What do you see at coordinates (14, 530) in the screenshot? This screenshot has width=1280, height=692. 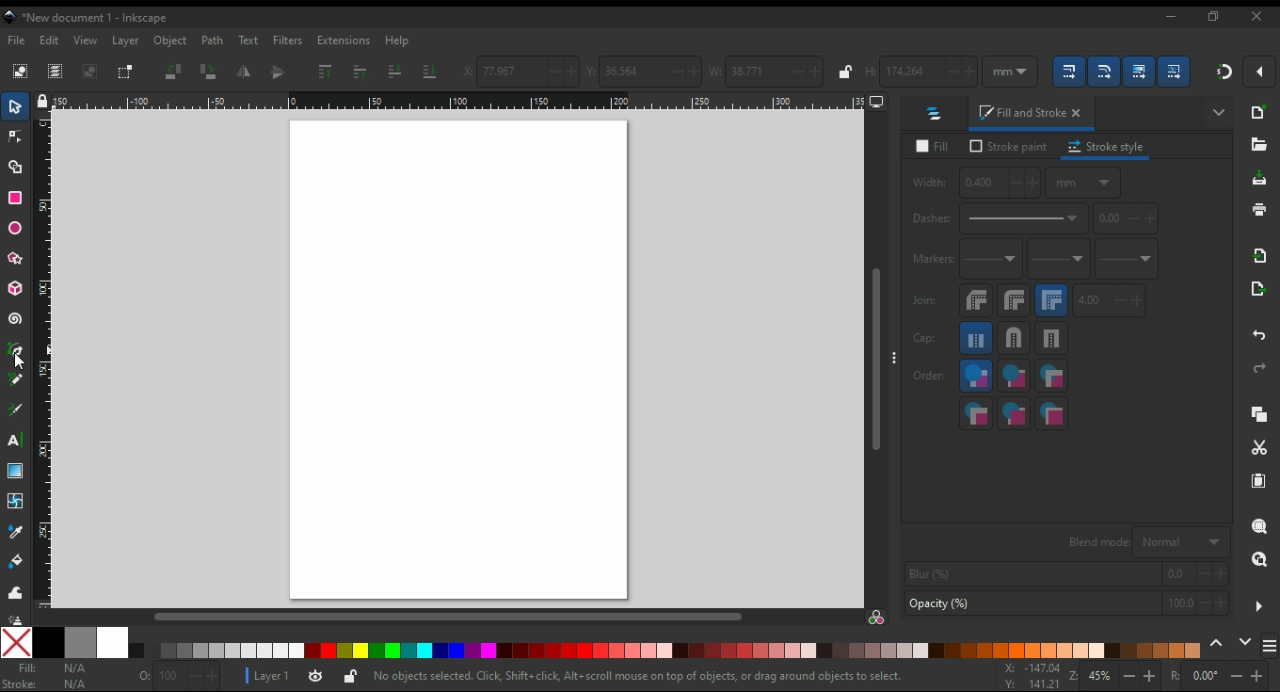 I see `dropper tool` at bounding box center [14, 530].